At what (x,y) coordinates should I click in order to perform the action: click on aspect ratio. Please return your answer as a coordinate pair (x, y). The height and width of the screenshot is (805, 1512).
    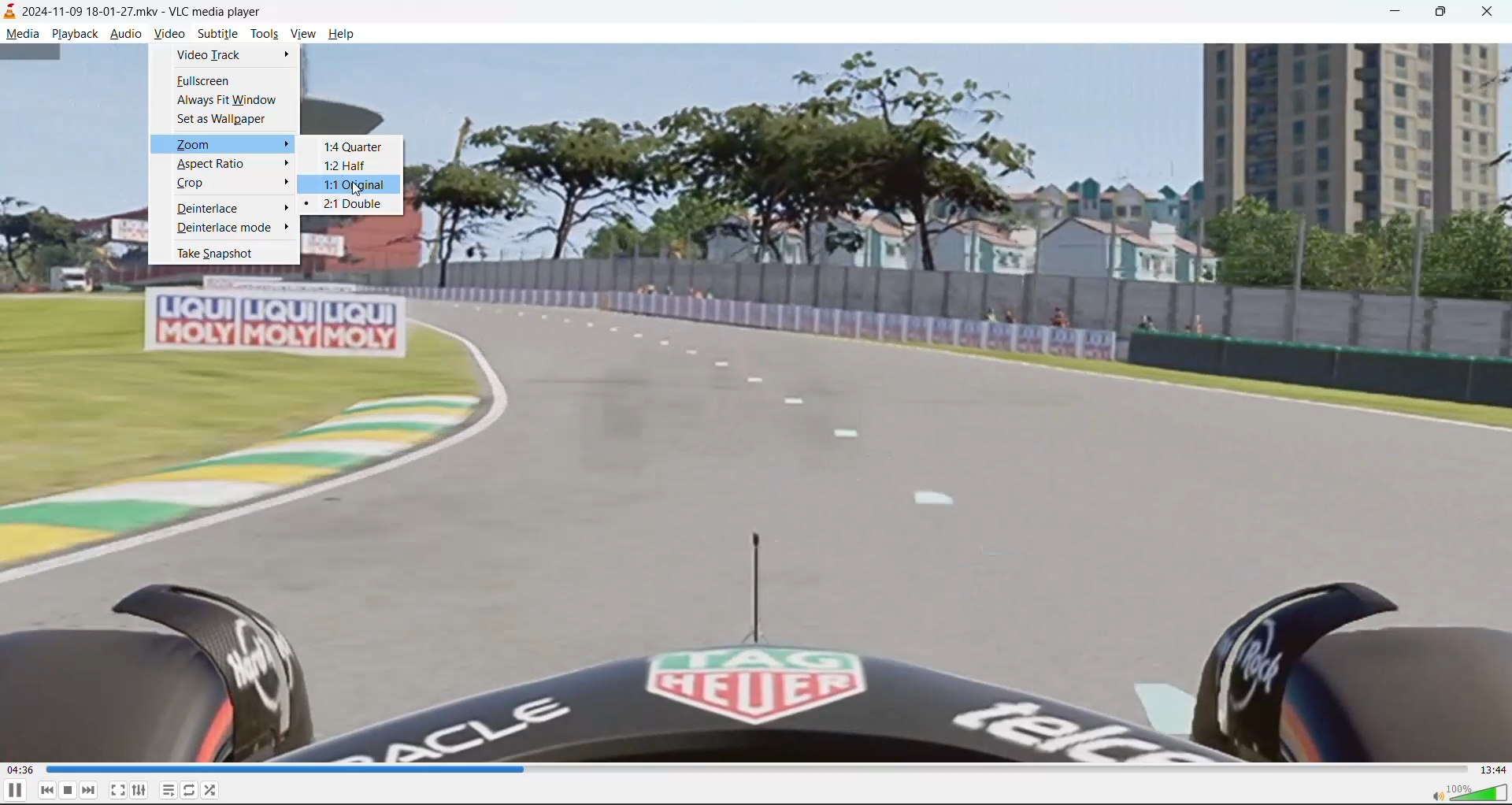
    Looking at the image, I should click on (213, 163).